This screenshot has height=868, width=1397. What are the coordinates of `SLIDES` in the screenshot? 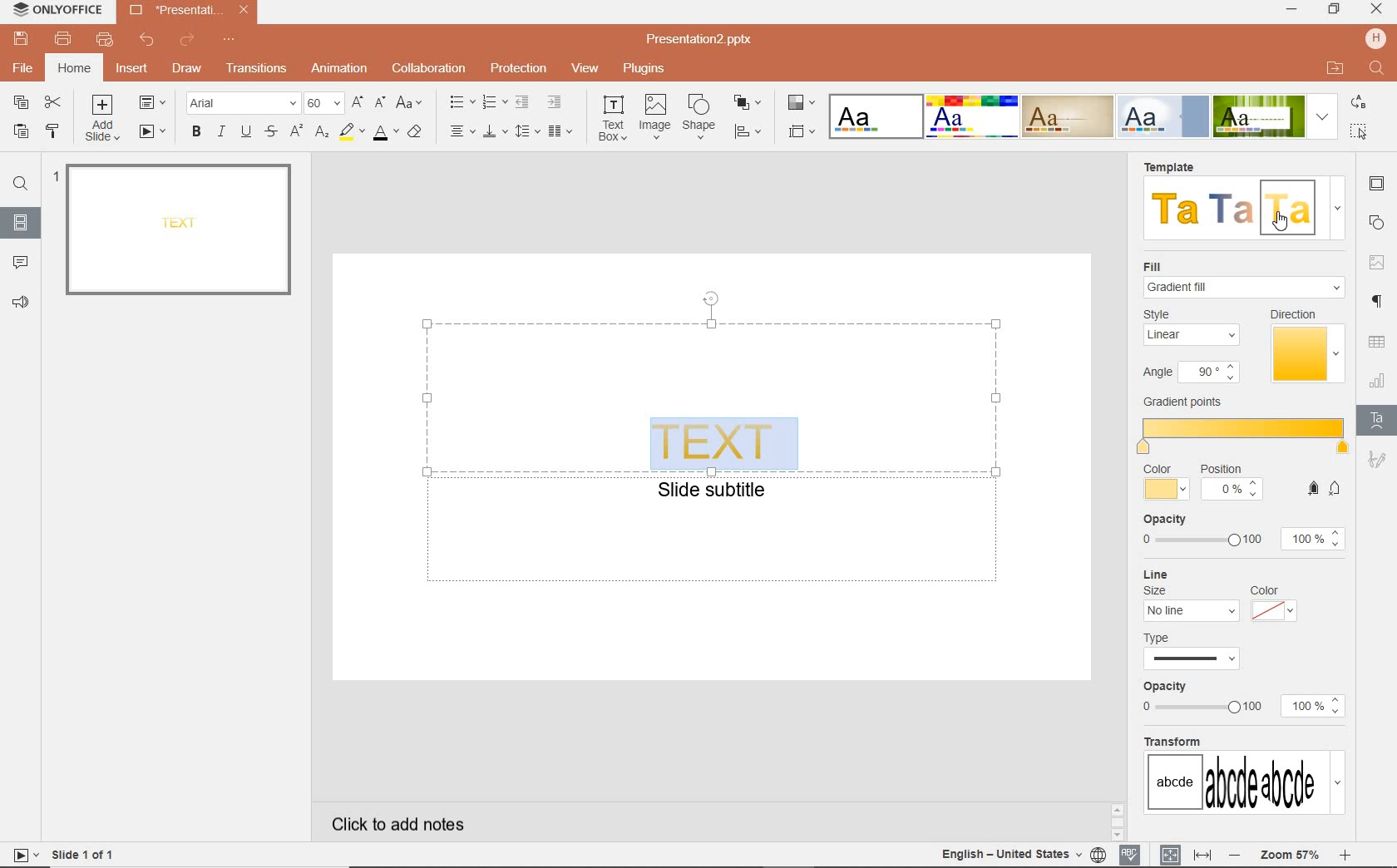 It's located at (23, 224).